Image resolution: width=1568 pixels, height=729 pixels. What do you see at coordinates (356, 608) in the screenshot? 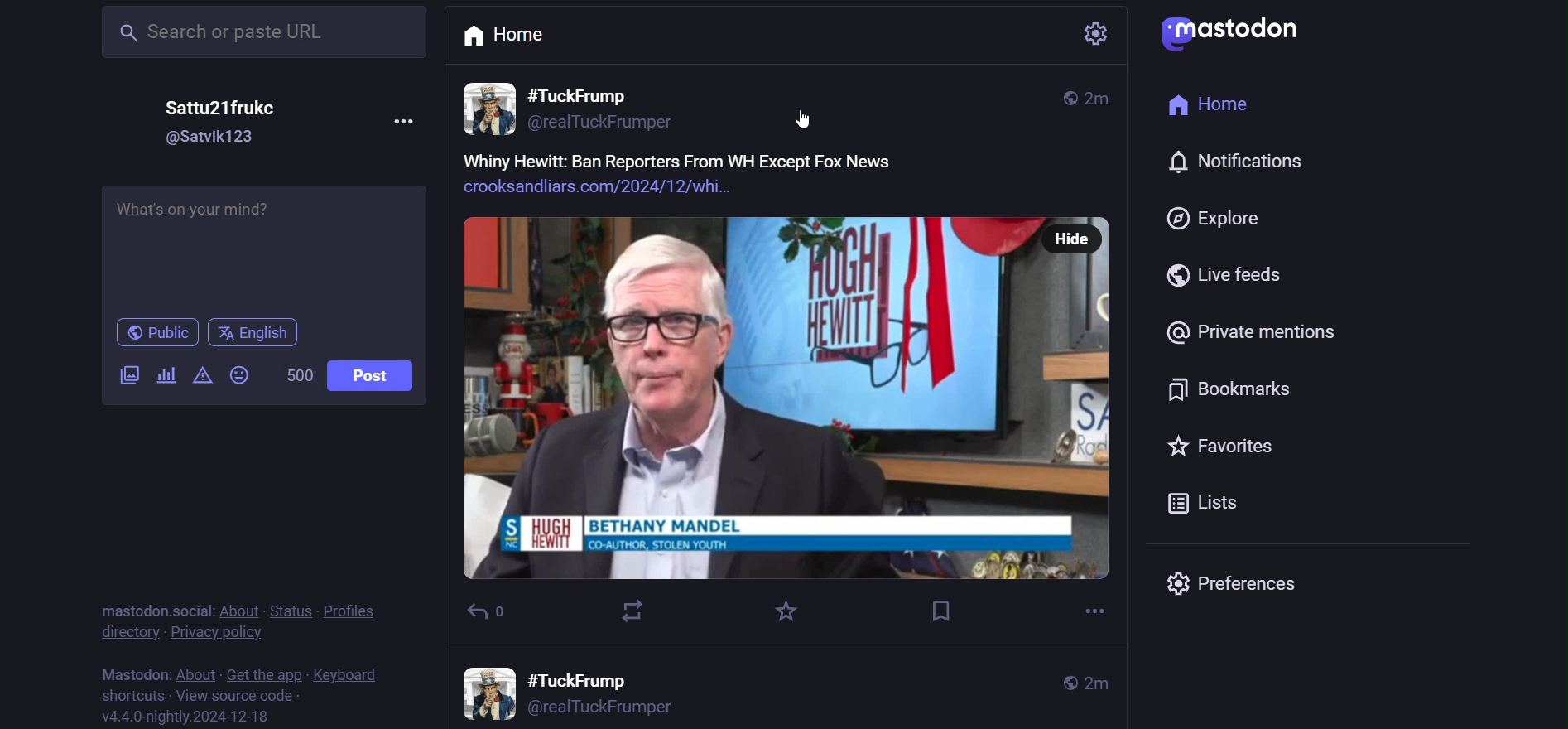
I see `profile` at bounding box center [356, 608].